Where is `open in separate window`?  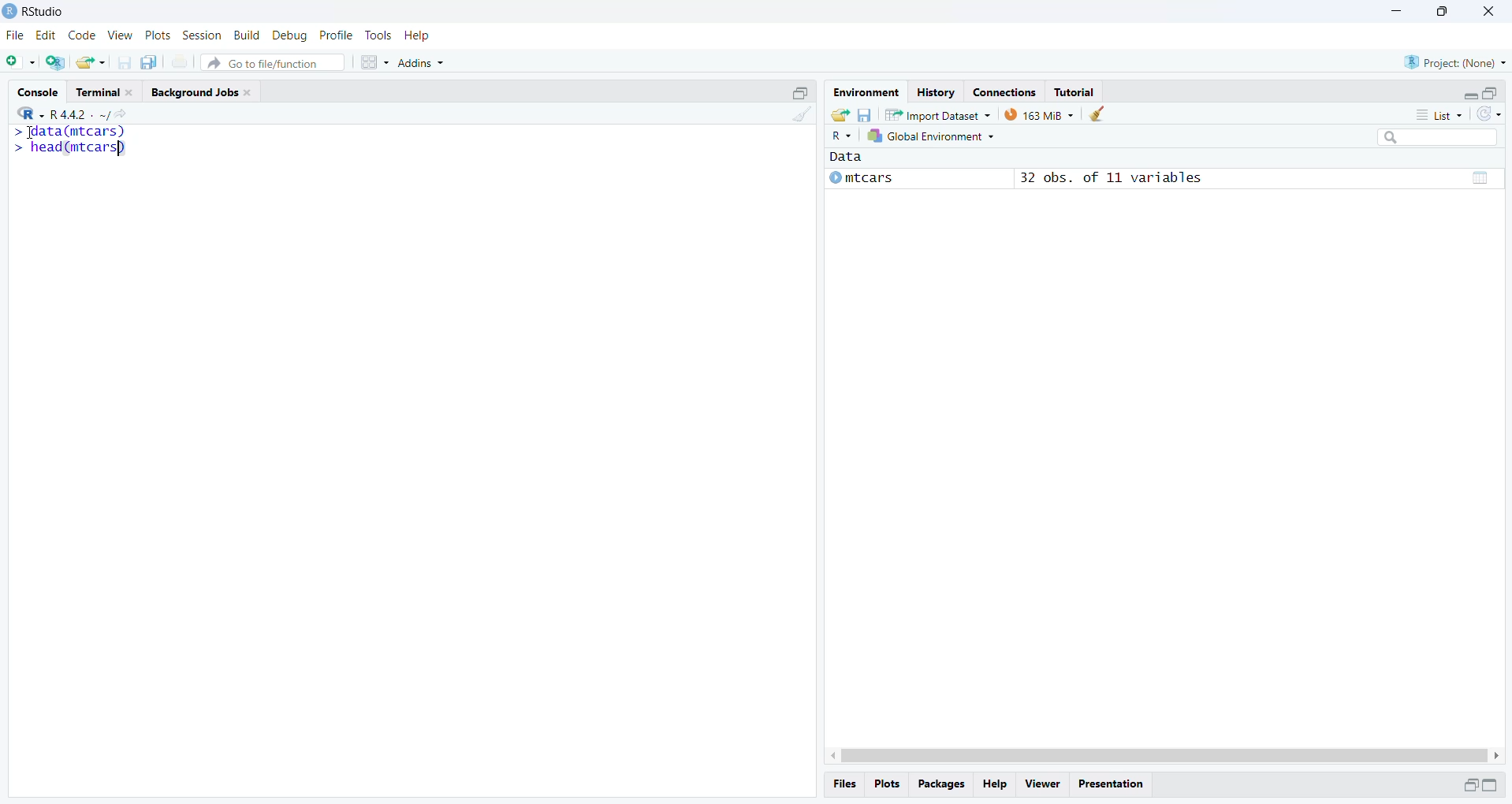 open in separate window is located at coordinates (1472, 784).